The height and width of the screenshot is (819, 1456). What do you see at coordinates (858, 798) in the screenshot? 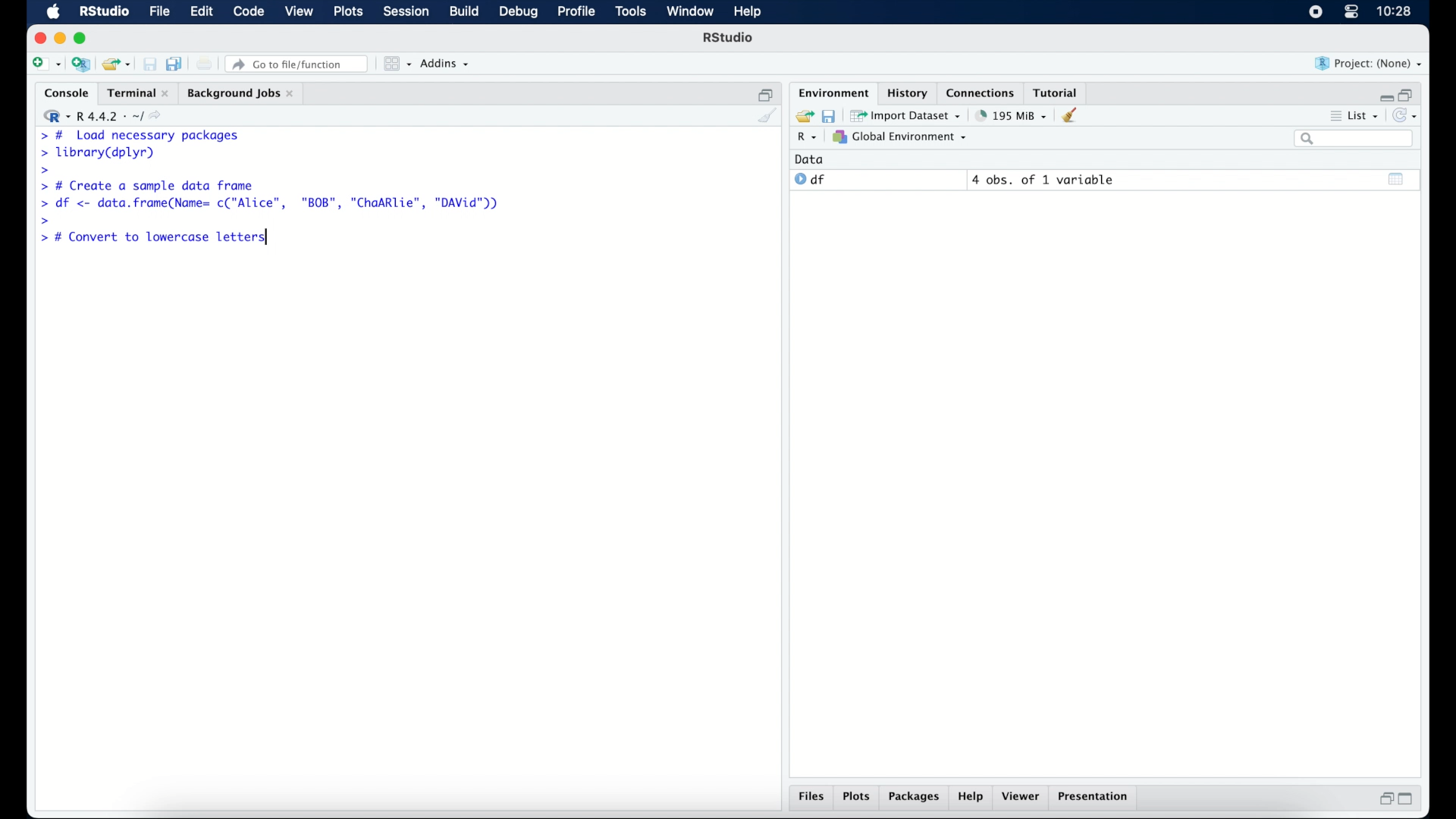
I see `plots` at bounding box center [858, 798].